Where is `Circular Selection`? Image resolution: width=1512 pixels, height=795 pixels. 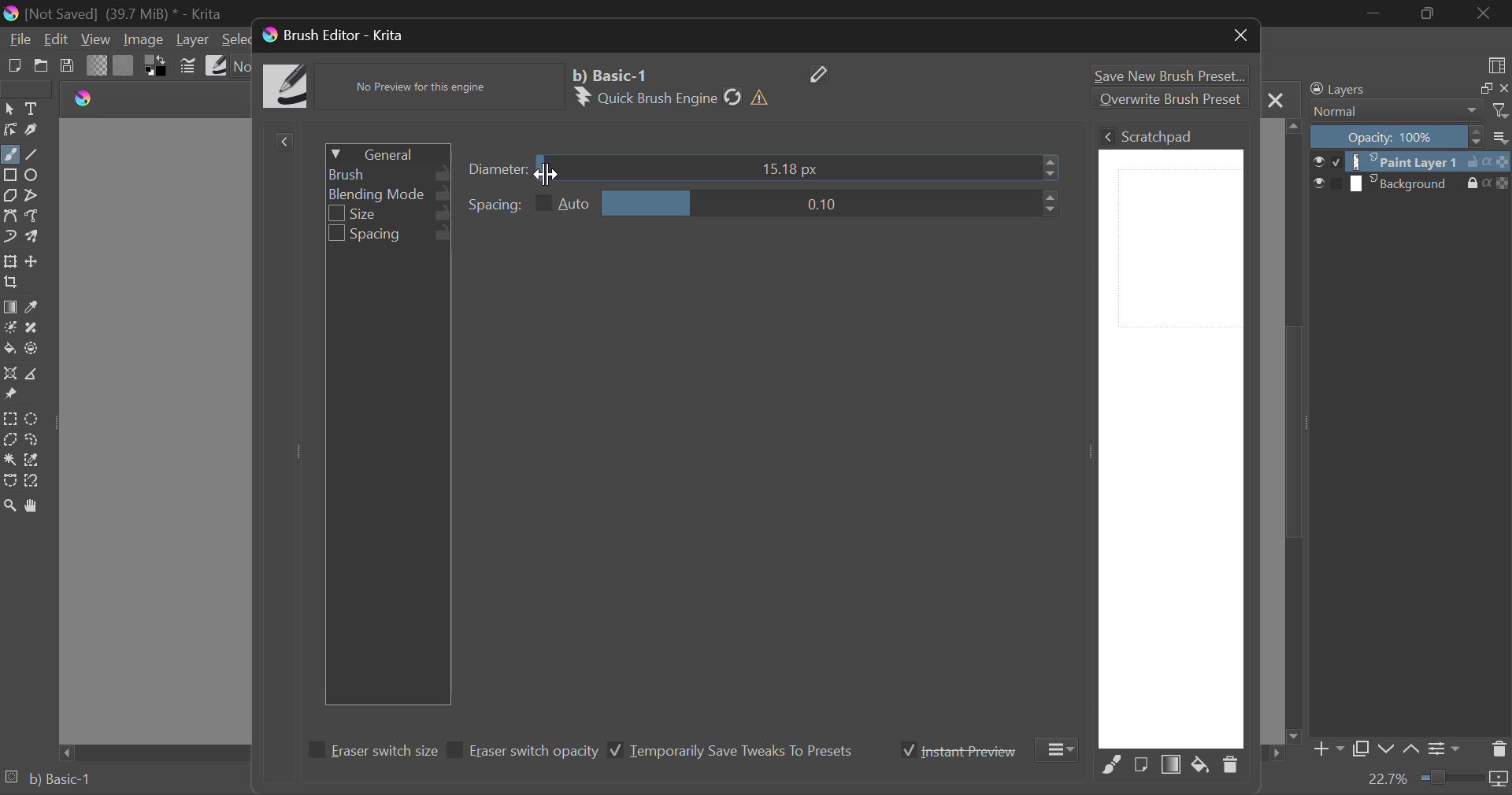 Circular Selection is located at coordinates (32, 419).